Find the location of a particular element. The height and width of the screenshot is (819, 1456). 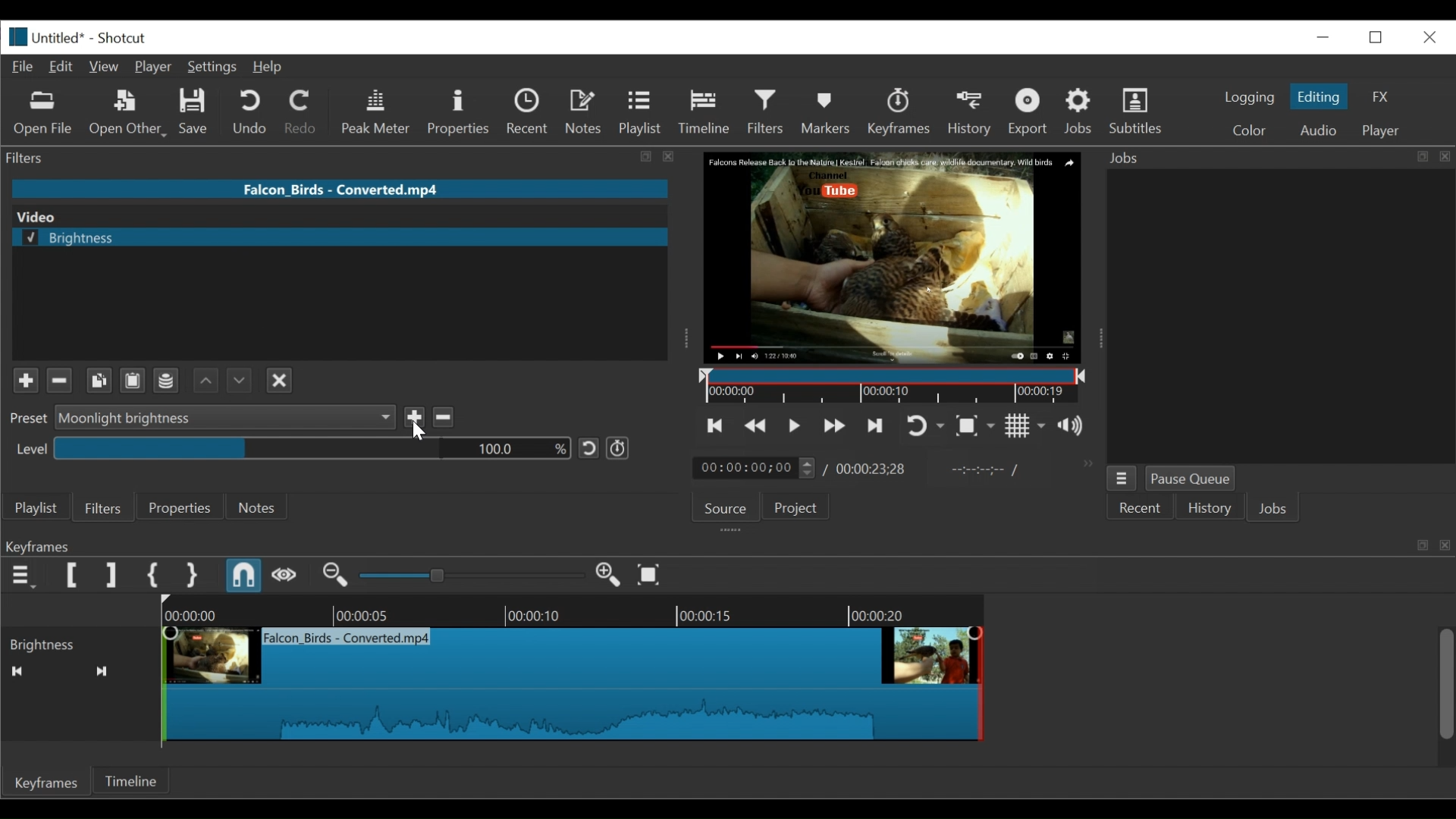

FX is located at coordinates (1380, 97).